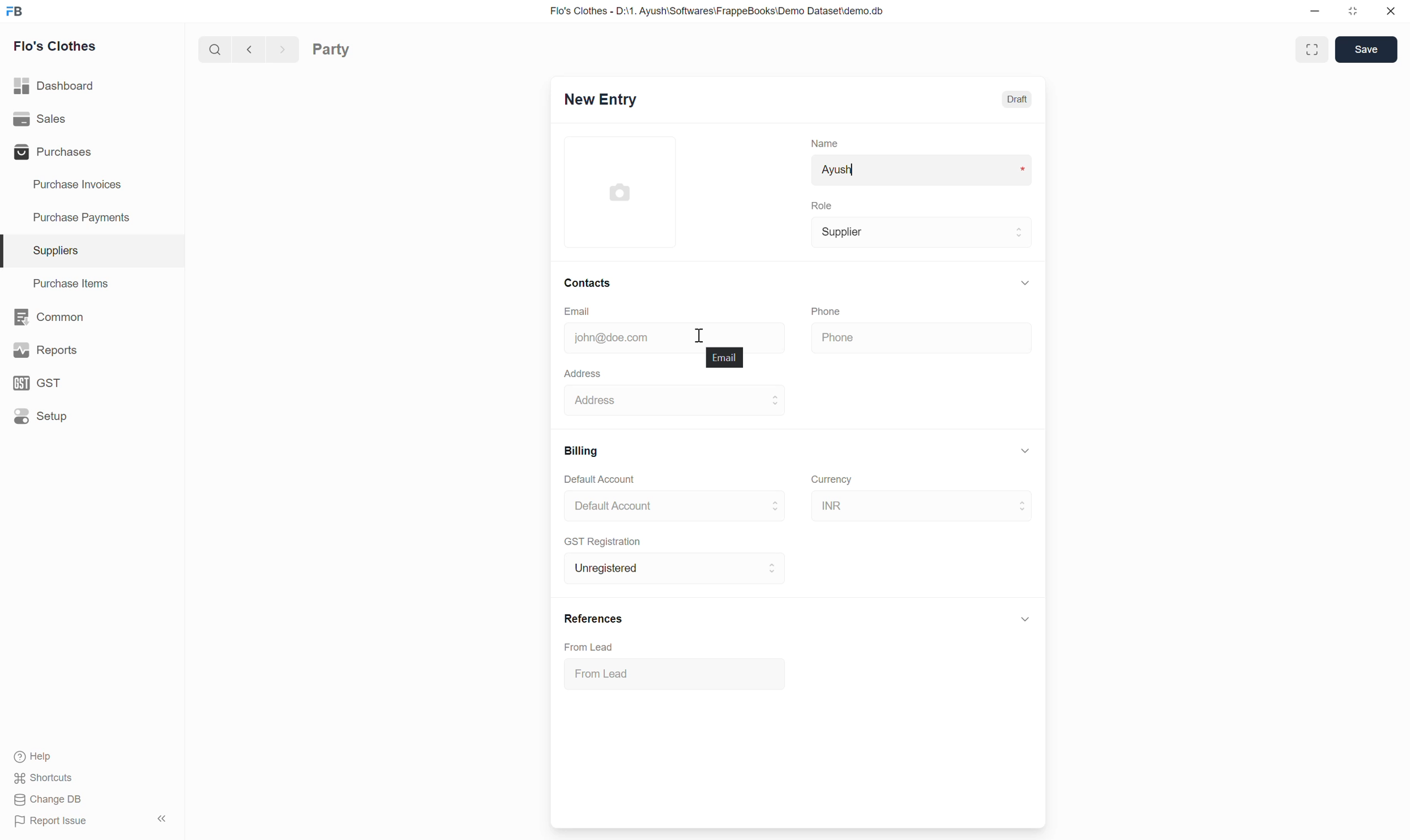  What do you see at coordinates (53, 821) in the screenshot?
I see `Report Issue` at bounding box center [53, 821].